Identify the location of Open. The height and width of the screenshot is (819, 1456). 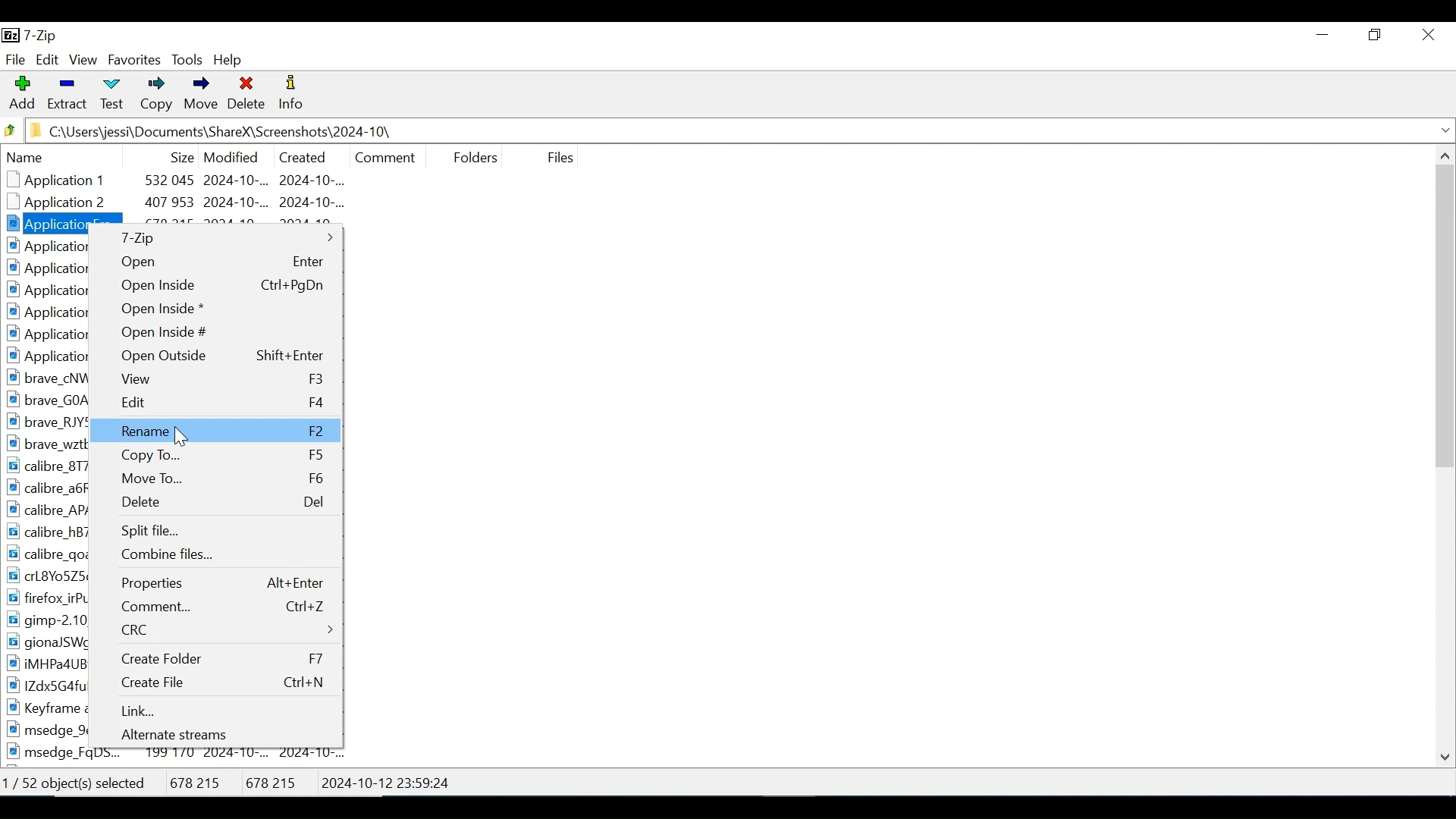
(215, 262).